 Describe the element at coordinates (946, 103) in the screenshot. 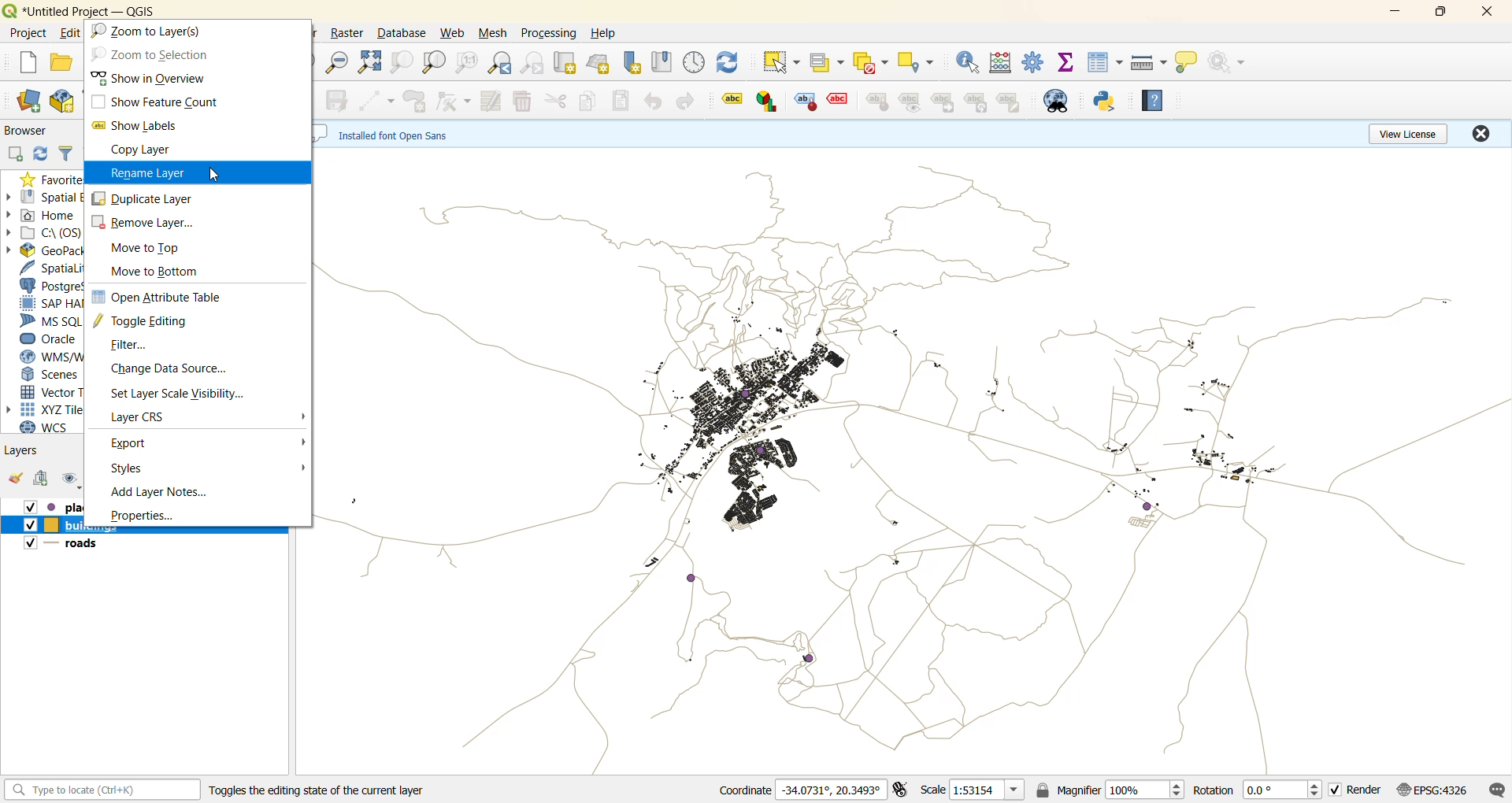

I see `linked label` at that location.